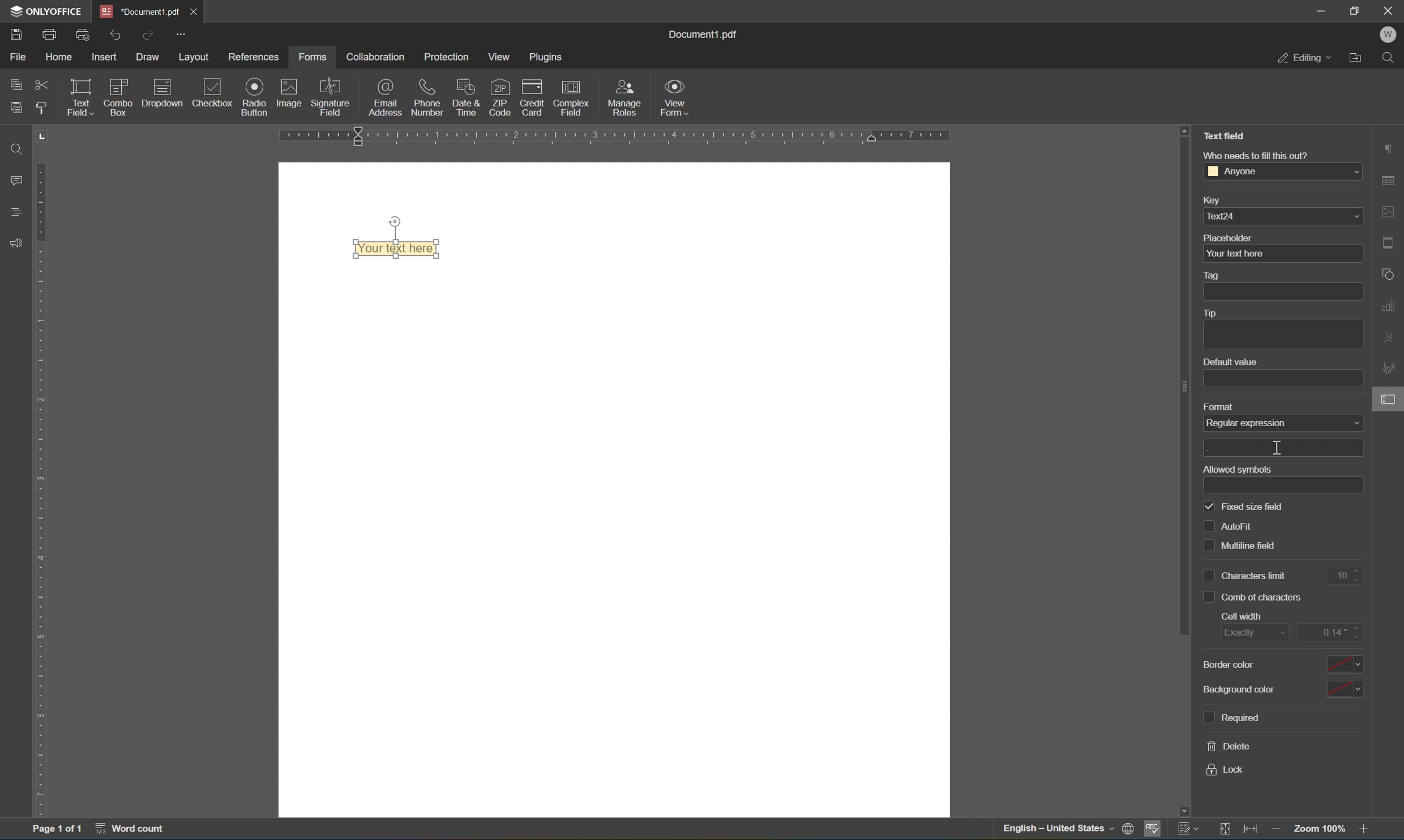 The image size is (1404, 840). I want to click on add, so click(1282, 449).